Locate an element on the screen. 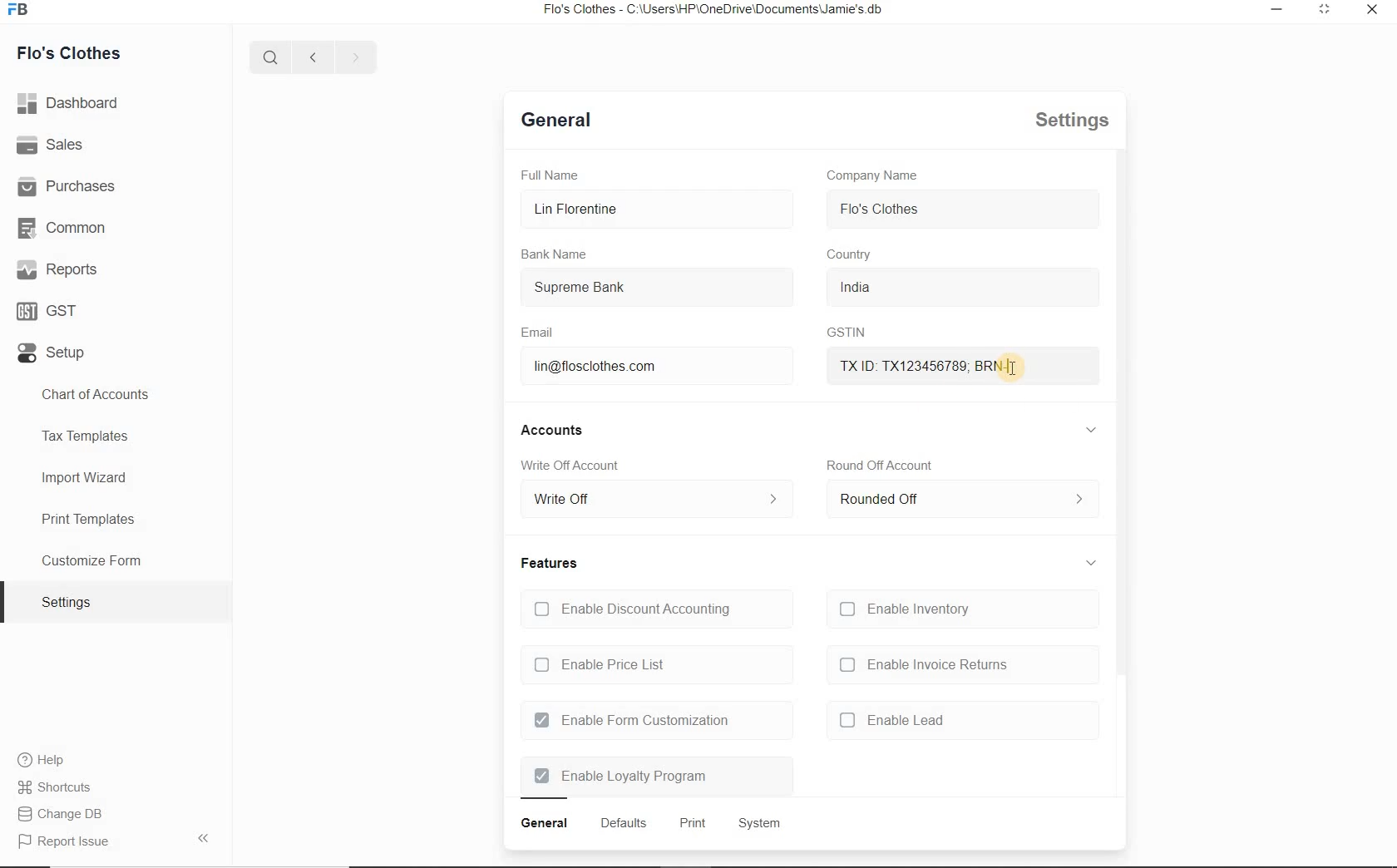 The image size is (1397, 868). Print Templates is located at coordinates (86, 518).